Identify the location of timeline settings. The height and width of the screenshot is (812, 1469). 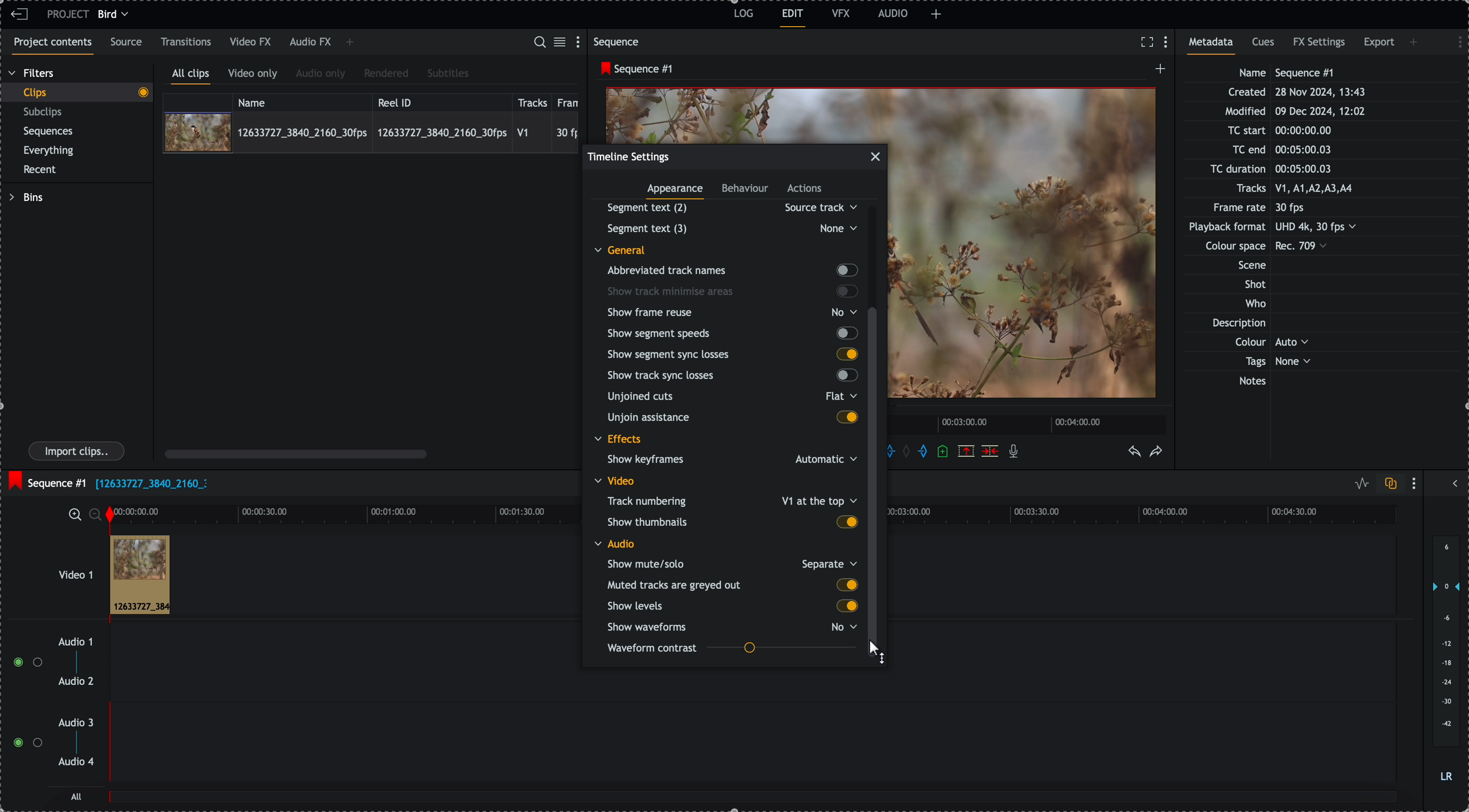
(629, 156).